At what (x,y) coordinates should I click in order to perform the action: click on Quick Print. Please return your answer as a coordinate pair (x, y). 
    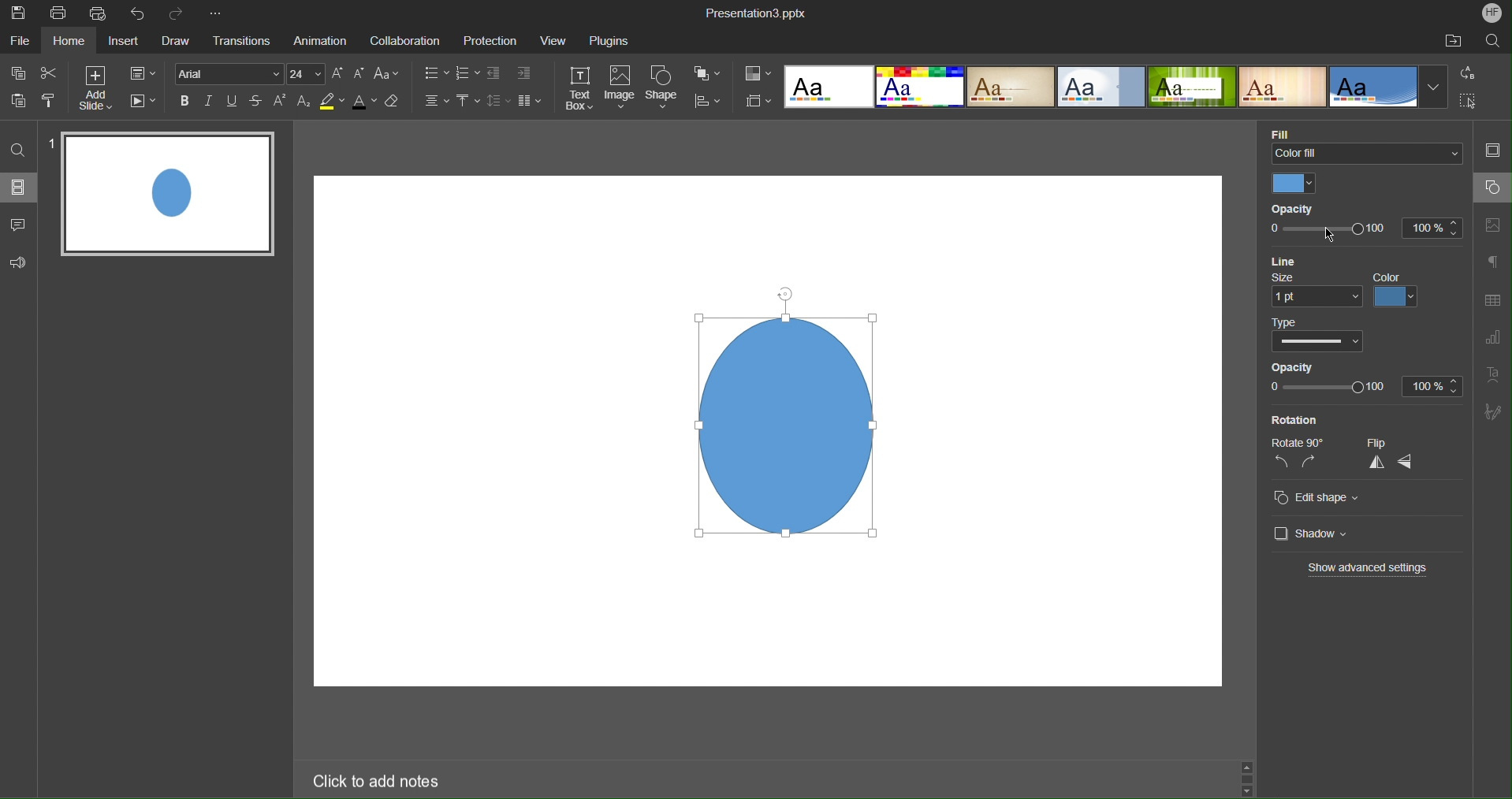
    Looking at the image, I should click on (98, 13).